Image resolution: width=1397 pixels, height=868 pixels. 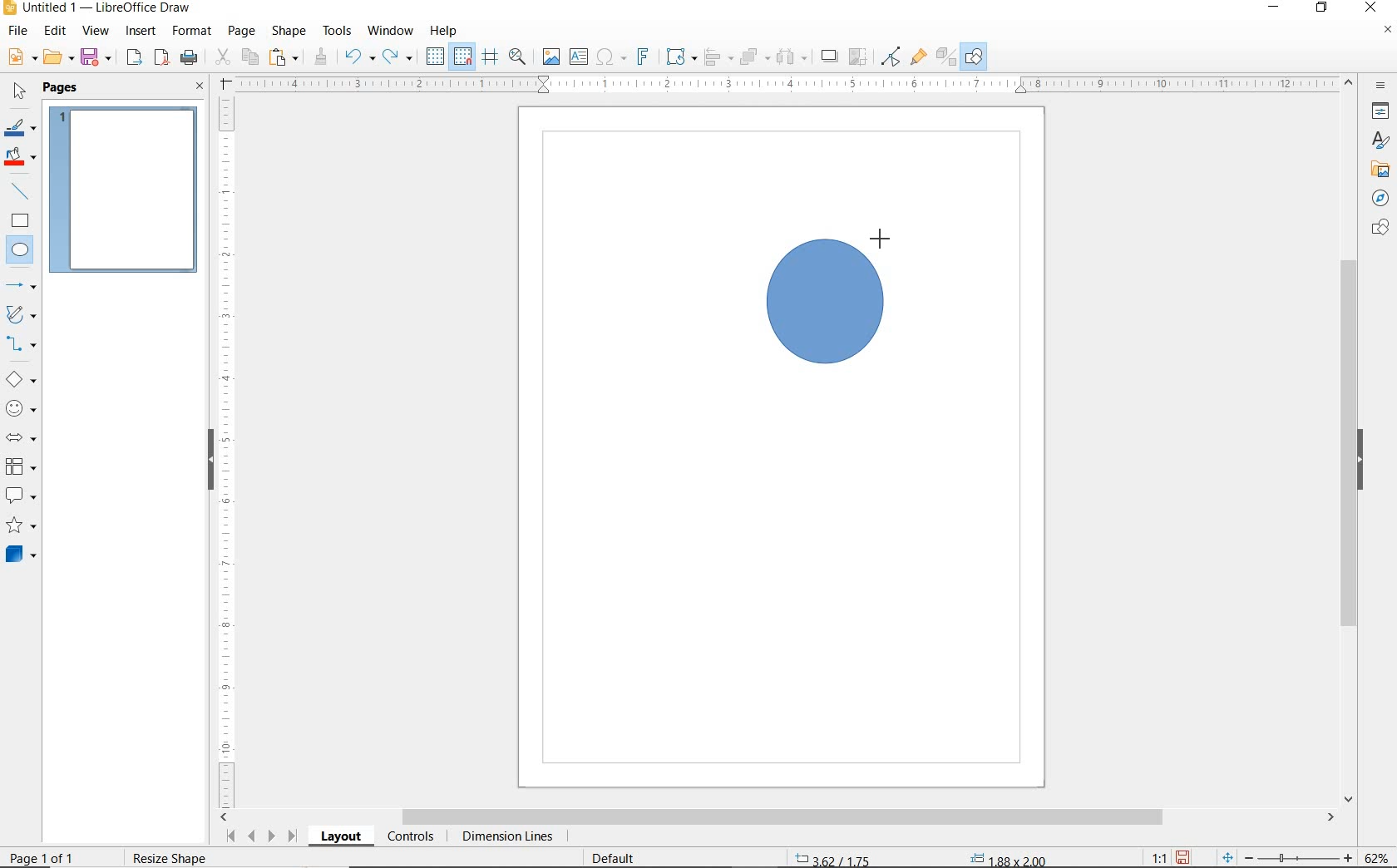 What do you see at coordinates (20, 127) in the screenshot?
I see `LINE COLOR` at bounding box center [20, 127].